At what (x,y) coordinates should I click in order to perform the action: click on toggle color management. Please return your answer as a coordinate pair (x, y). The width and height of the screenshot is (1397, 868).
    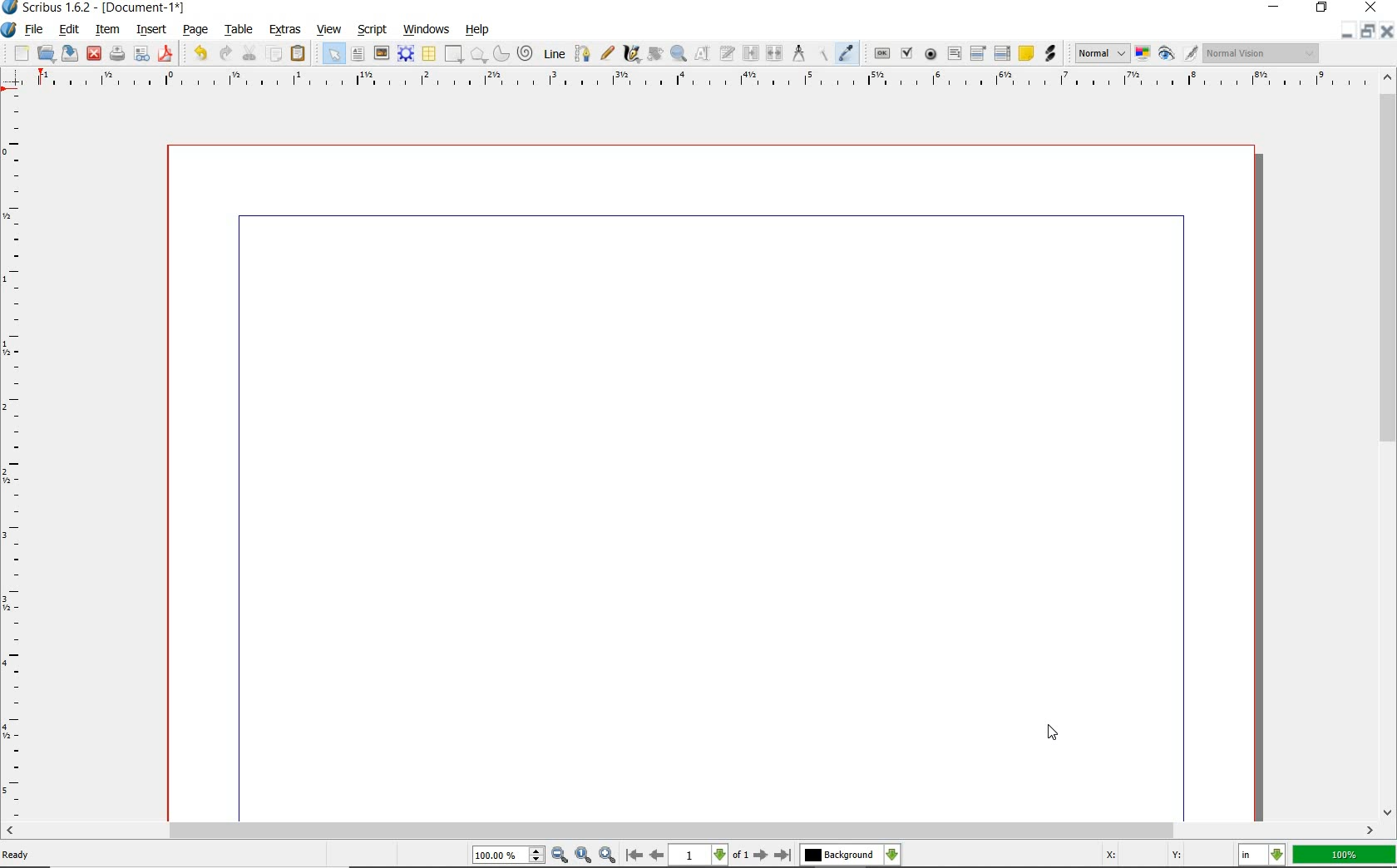
    Looking at the image, I should click on (1142, 55).